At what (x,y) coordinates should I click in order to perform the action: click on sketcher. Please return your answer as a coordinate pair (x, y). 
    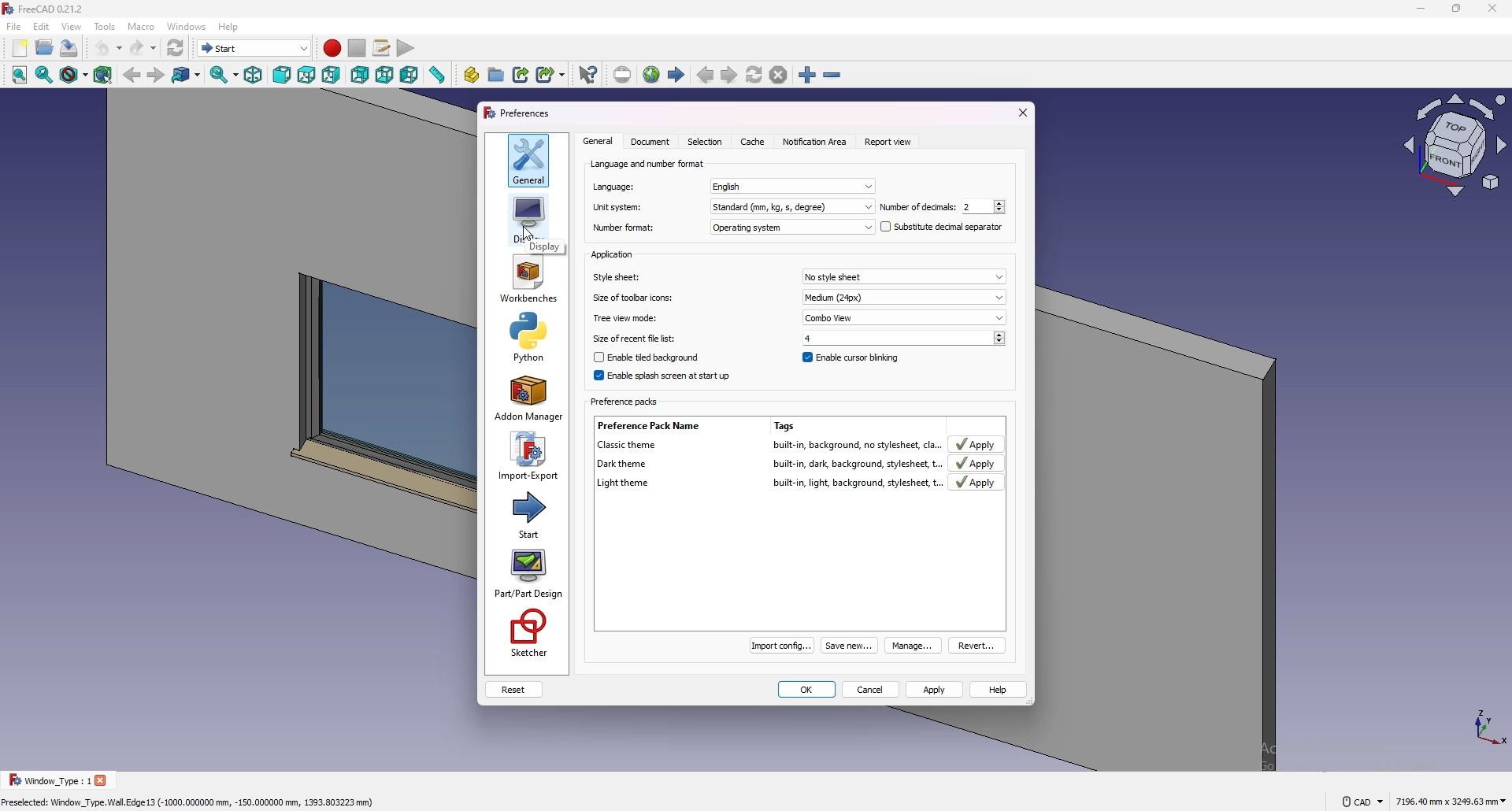
    Looking at the image, I should click on (527, 634).